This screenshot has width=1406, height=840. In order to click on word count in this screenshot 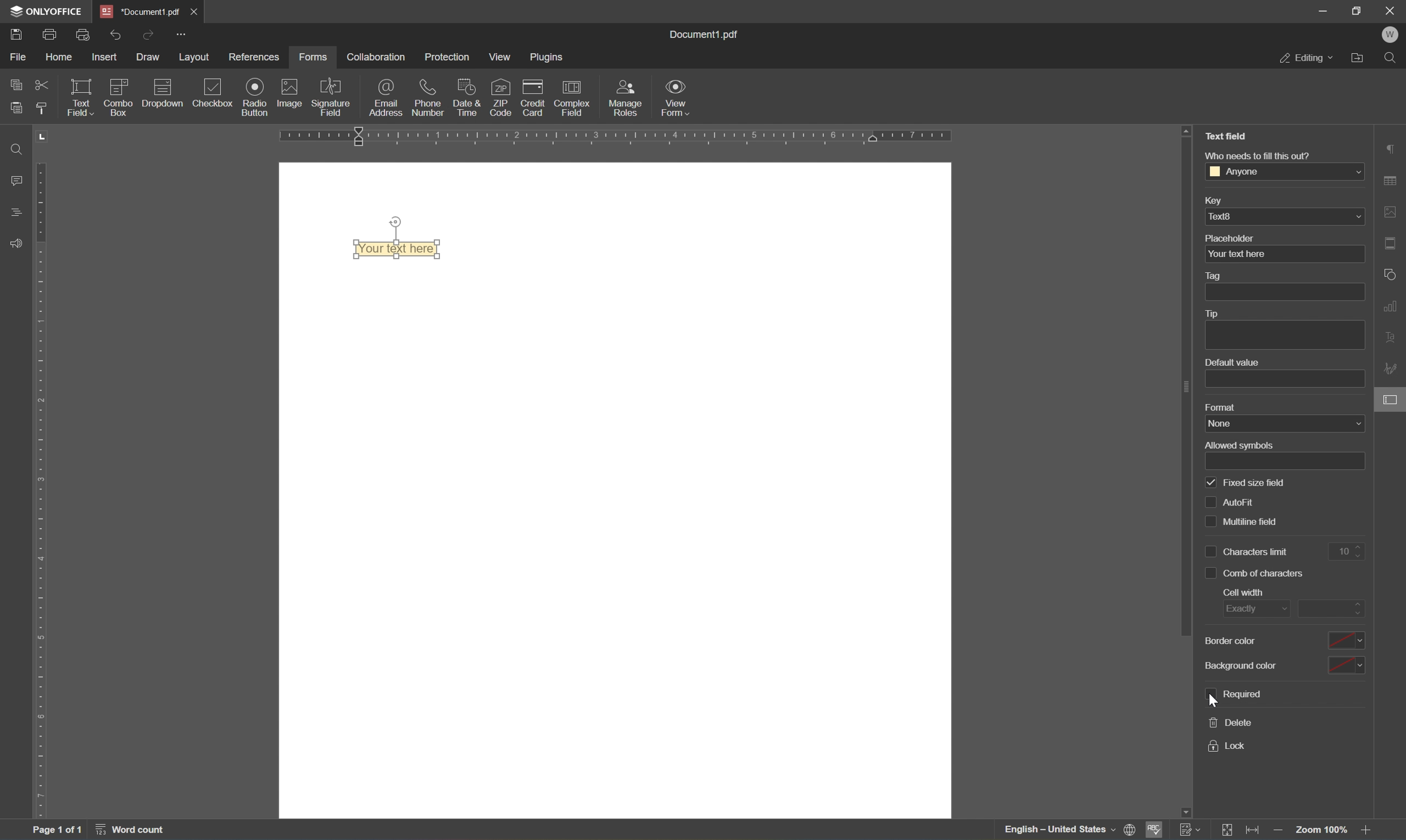, I will do `click(129, 832)`.